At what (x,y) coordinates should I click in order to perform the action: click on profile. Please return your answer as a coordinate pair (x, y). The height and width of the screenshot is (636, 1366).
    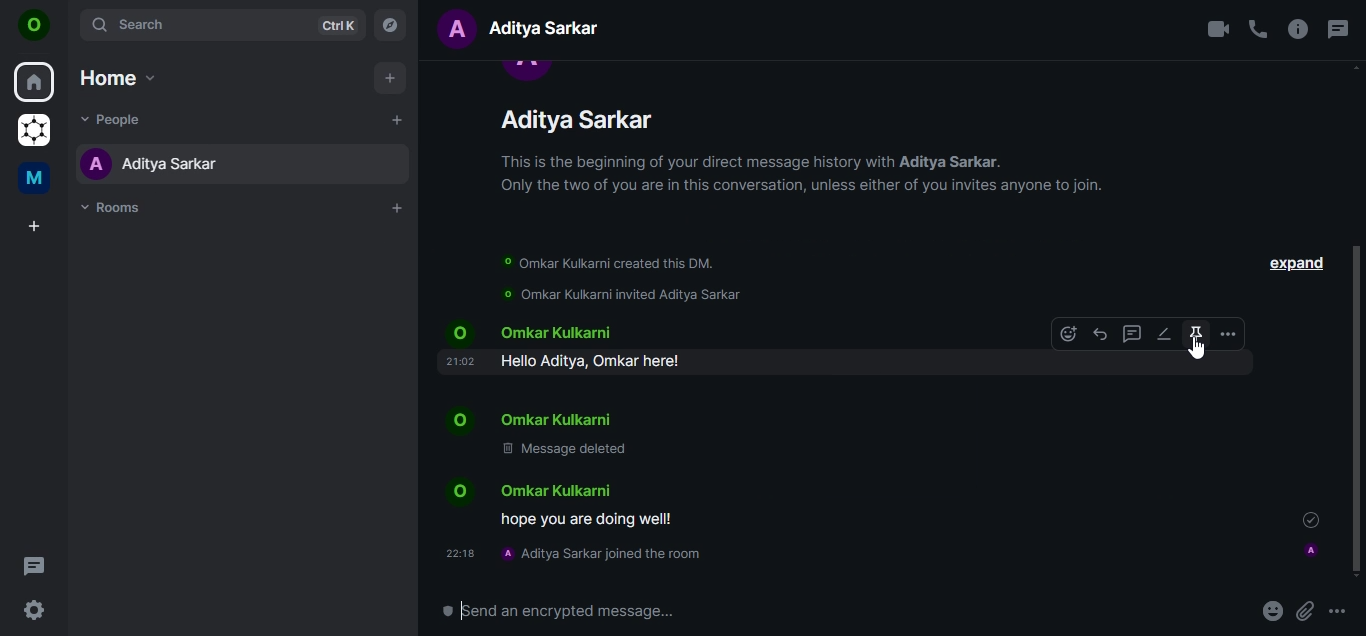
    Looking at the image, I should click on (1319, 550).